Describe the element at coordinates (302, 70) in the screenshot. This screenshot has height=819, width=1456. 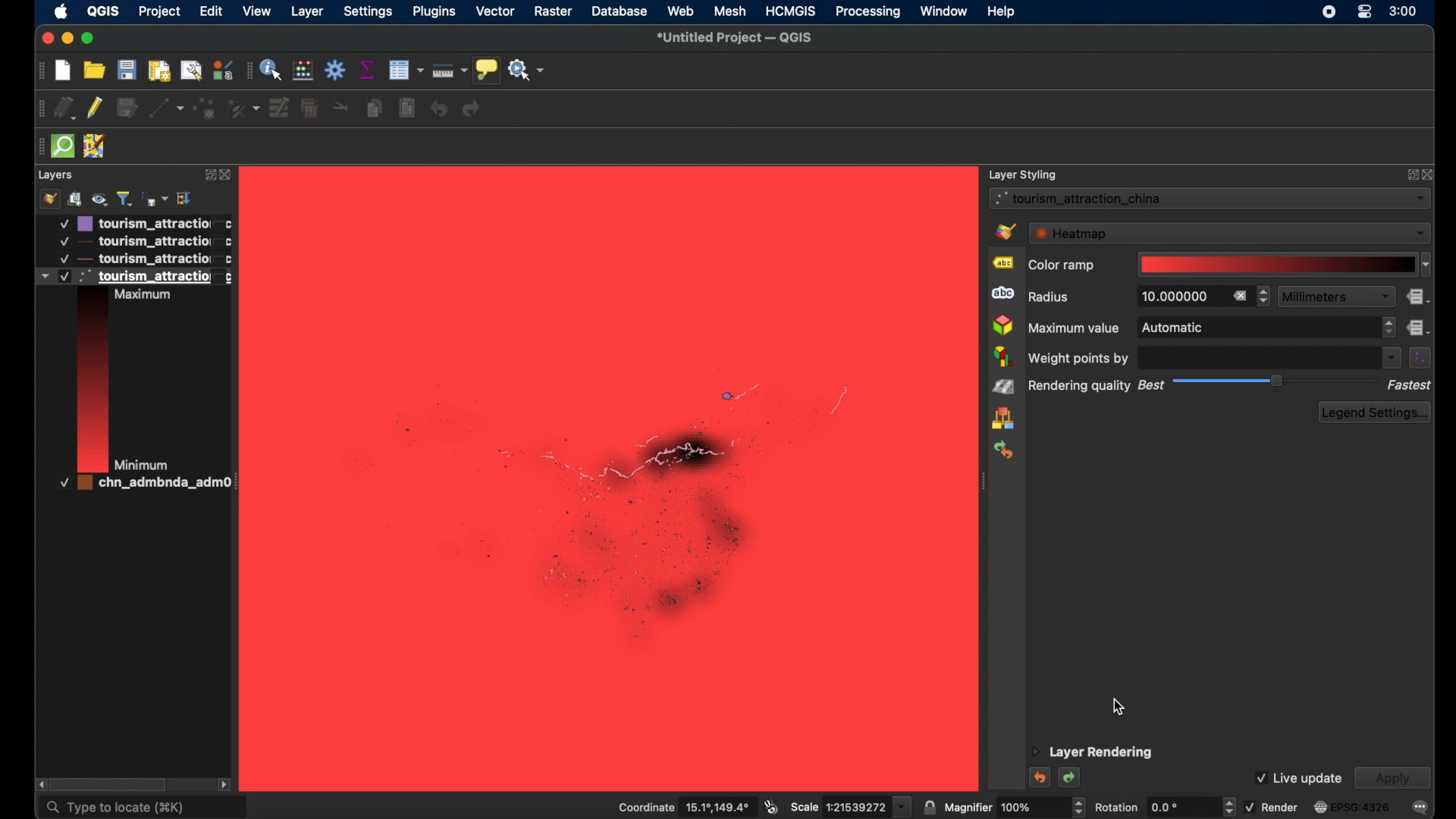
I see `open field calculator` at that location.